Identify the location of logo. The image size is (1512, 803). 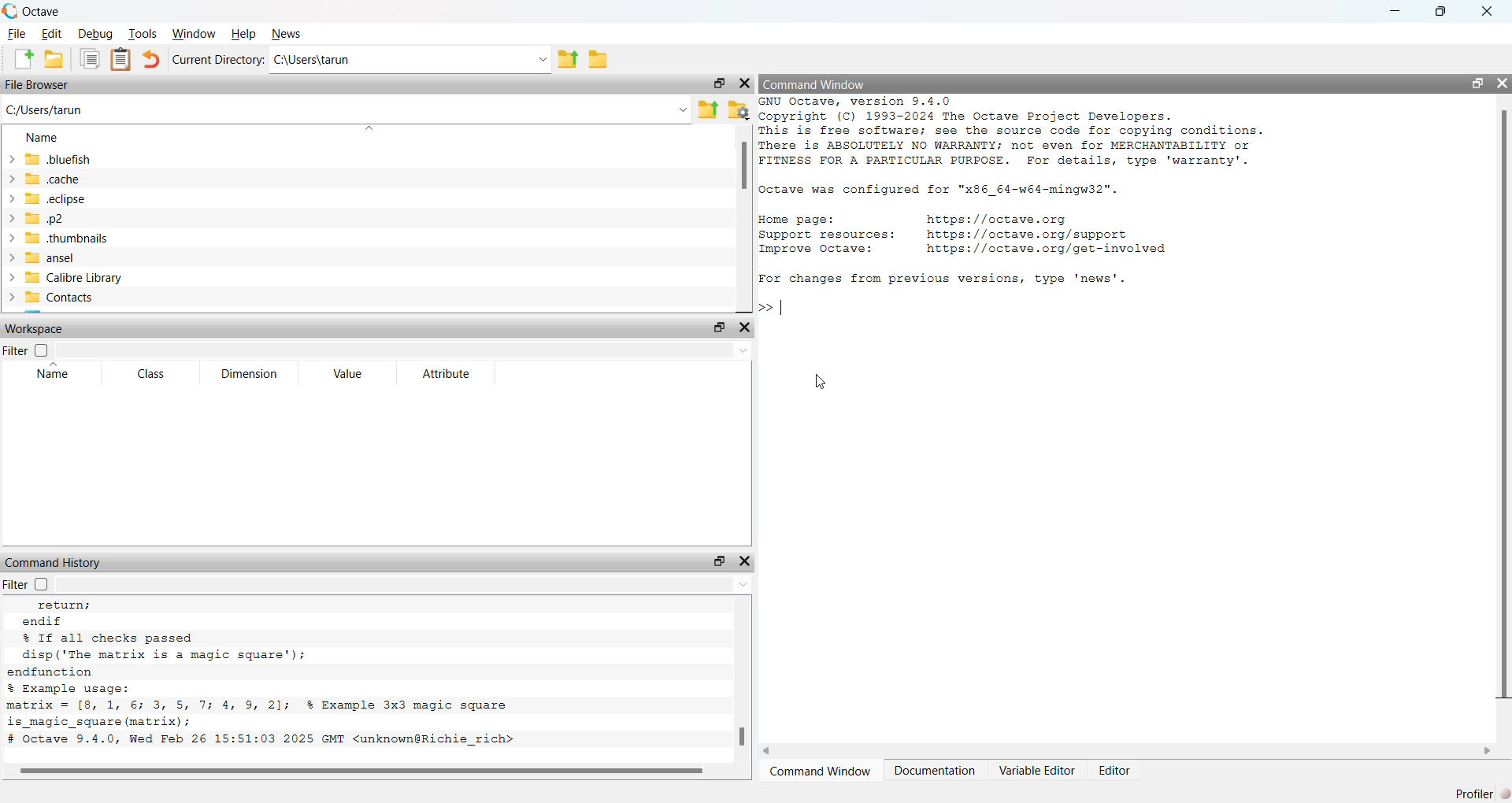
(11, 11).